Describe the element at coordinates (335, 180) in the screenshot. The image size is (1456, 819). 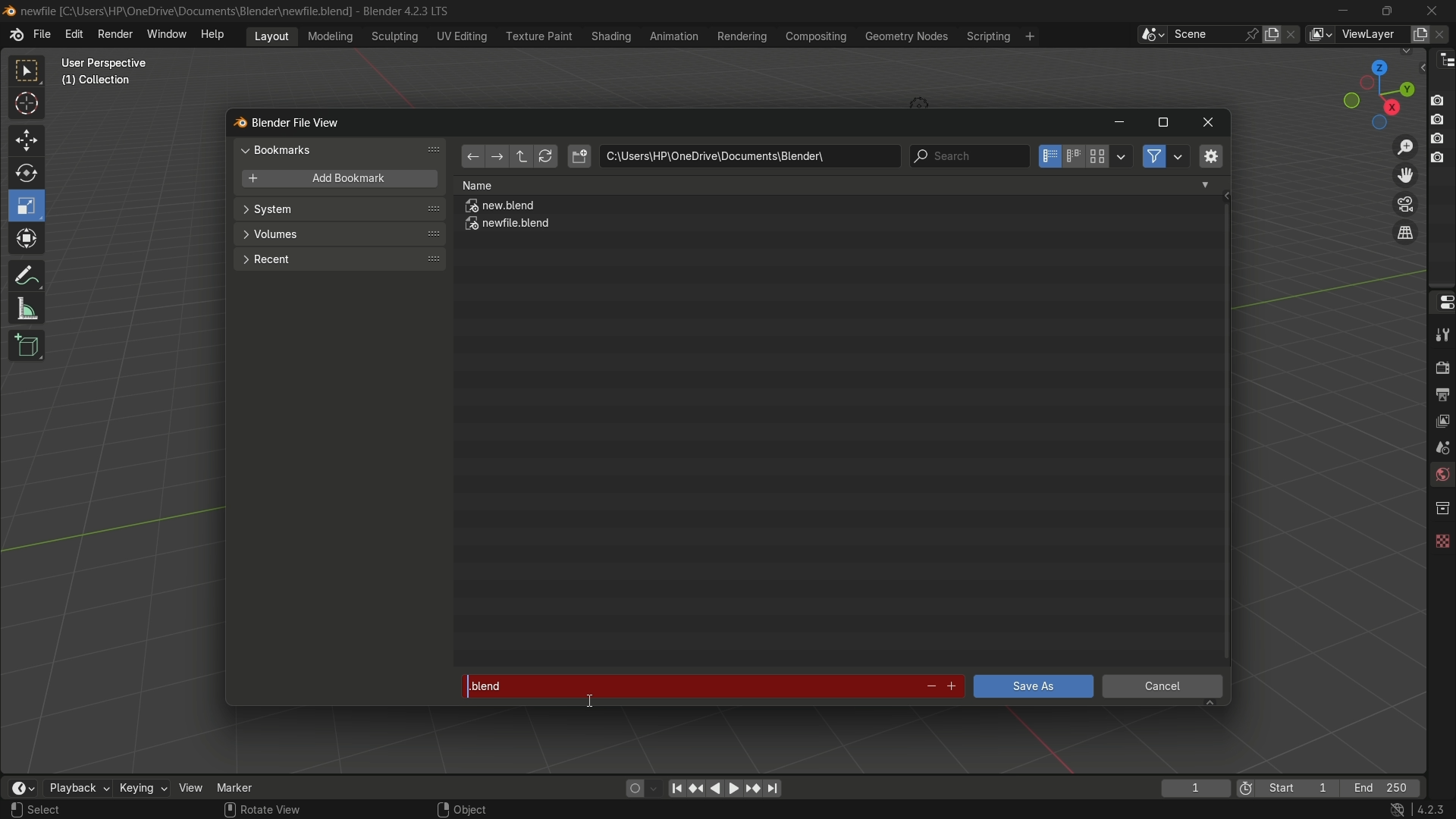
I see `add bookmark` at that location.